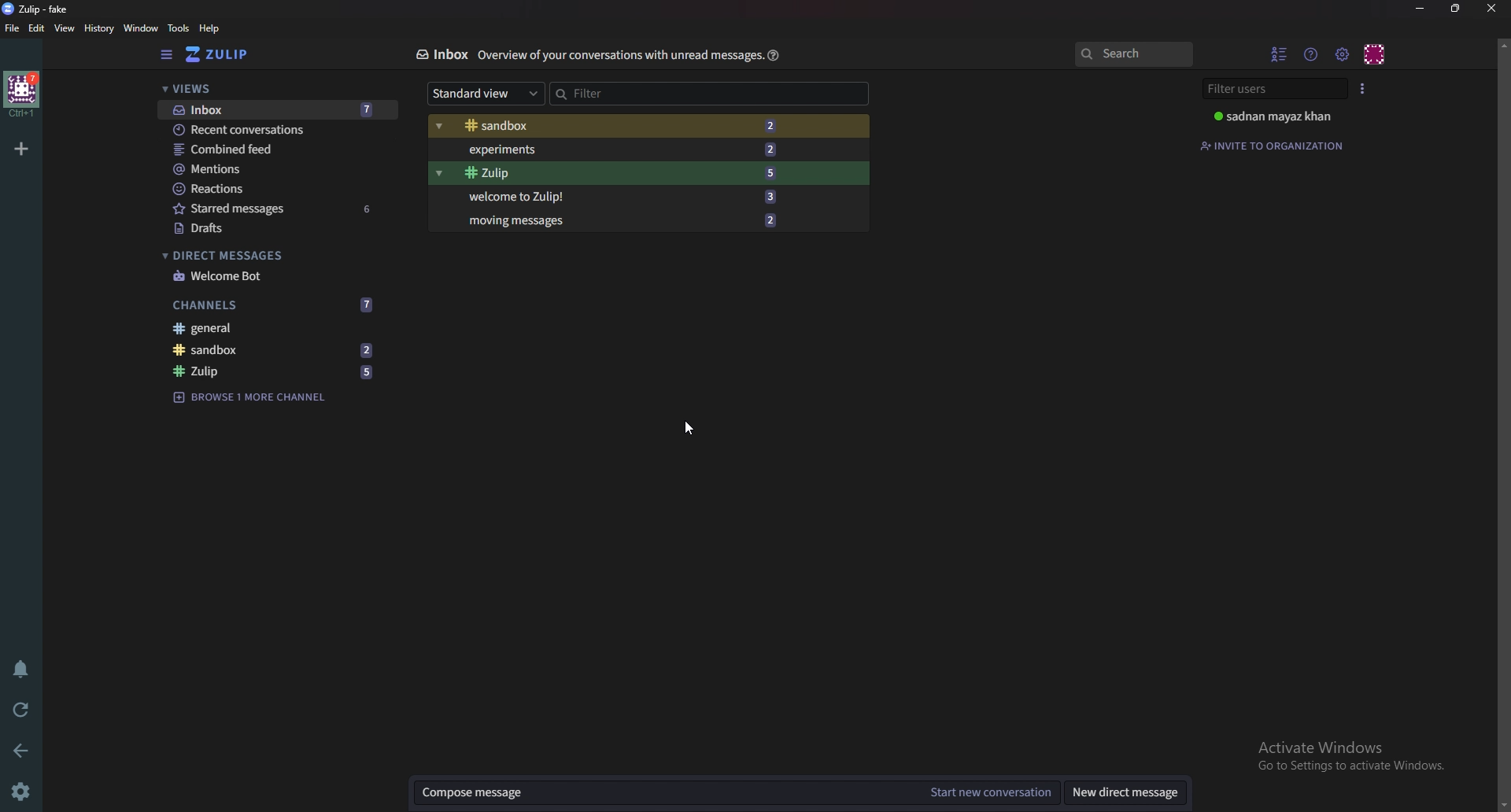  What do you see at coordinates (37, 28) in the screenshot?
I see `Edit` at bounding box center [37, 28].